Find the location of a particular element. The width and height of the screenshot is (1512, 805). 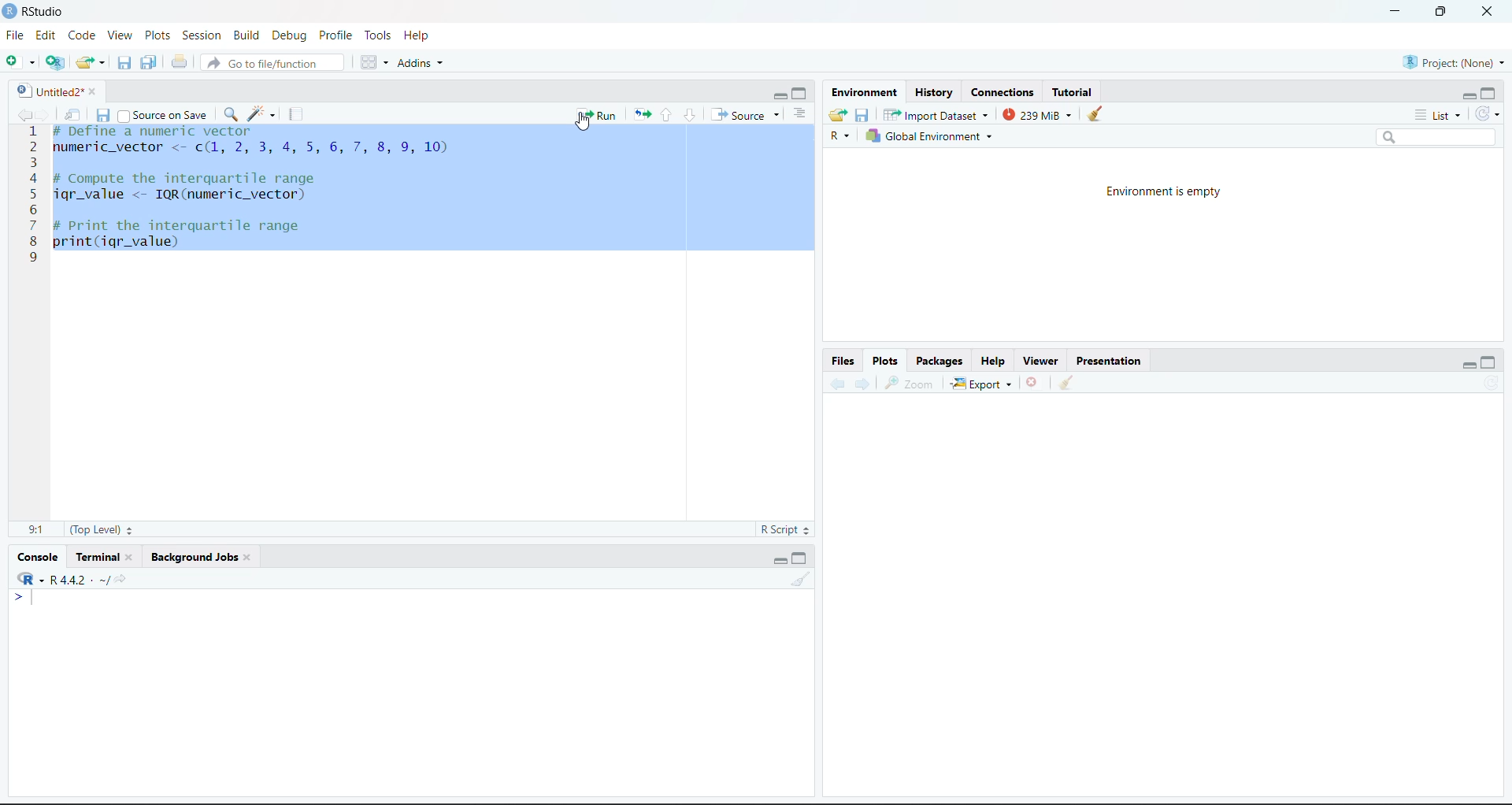

Edit is located at coordinates (50, 35).